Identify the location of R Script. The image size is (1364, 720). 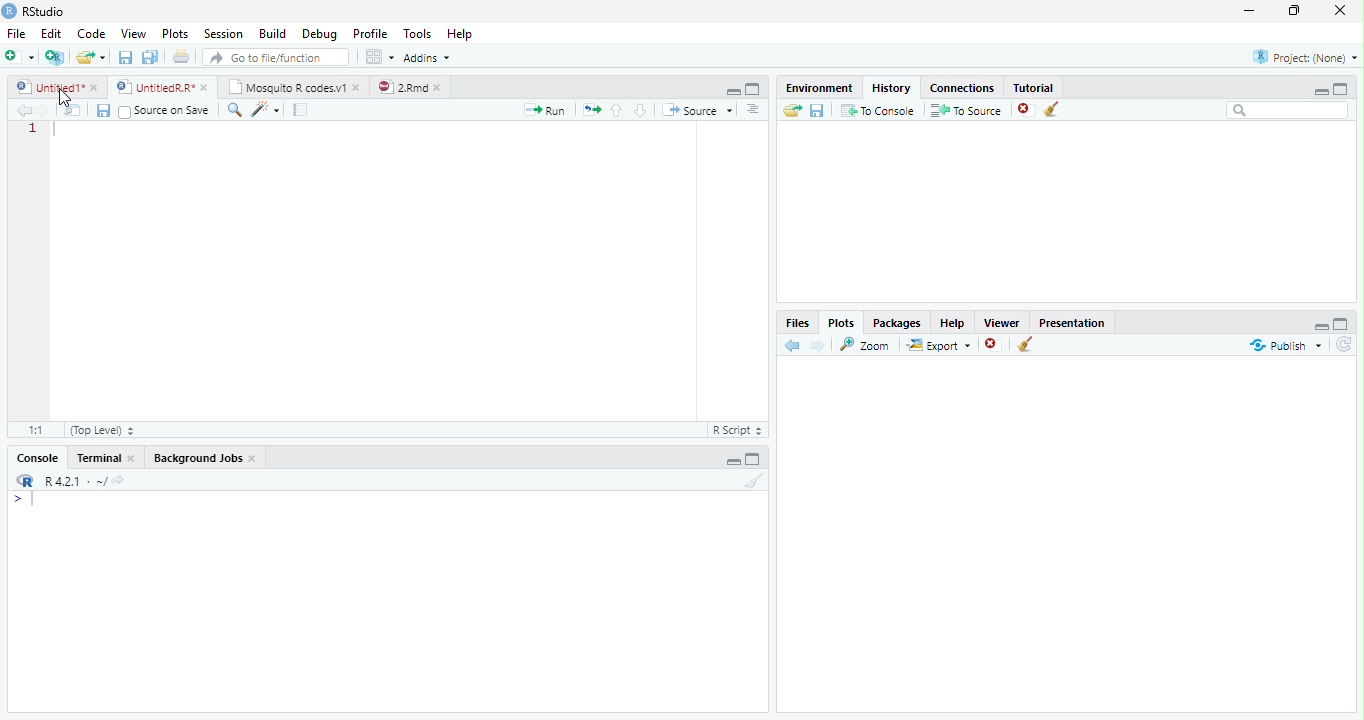
(737, 430).